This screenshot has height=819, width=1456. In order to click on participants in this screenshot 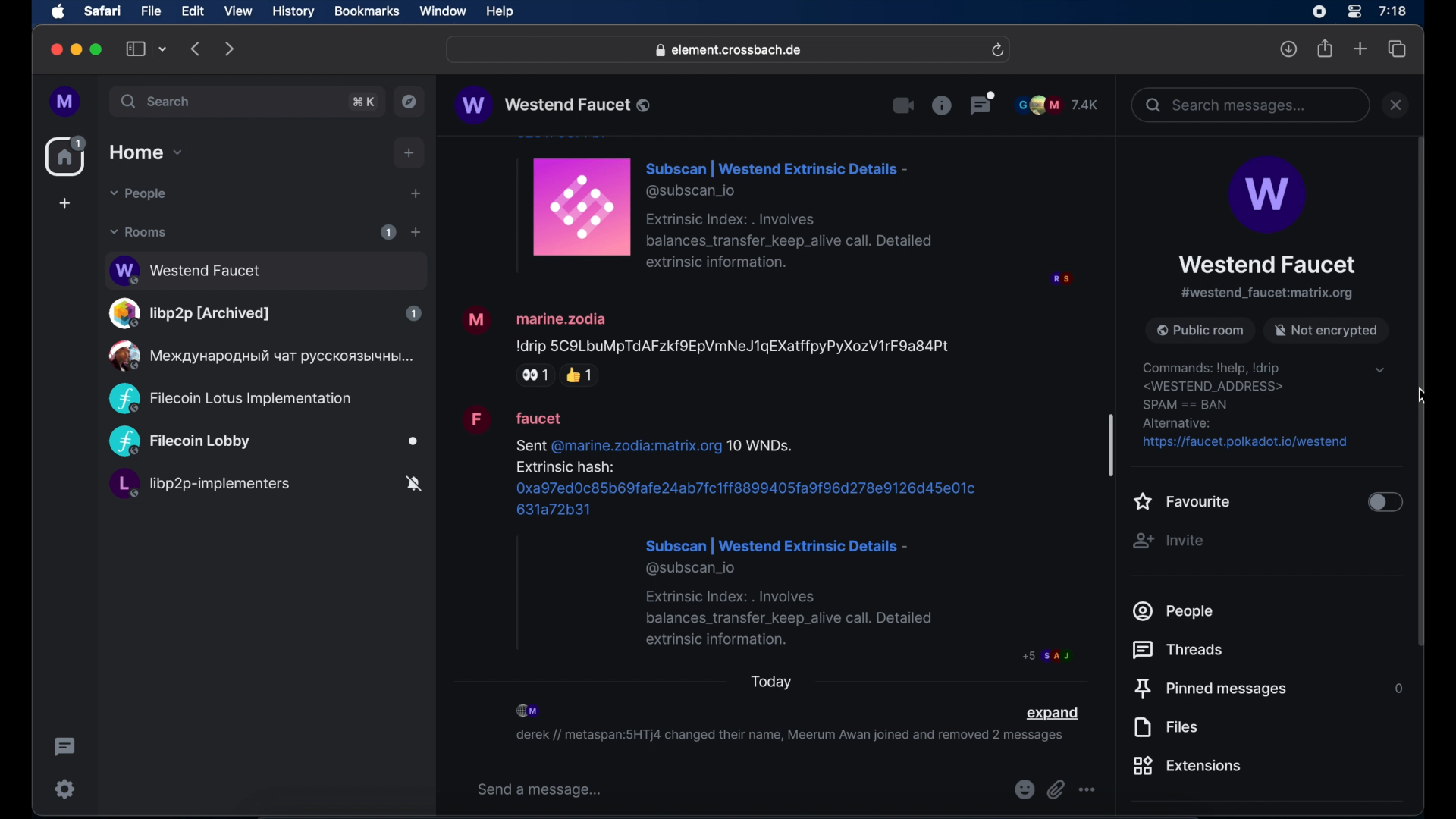, I will do `click(529, 711)`.